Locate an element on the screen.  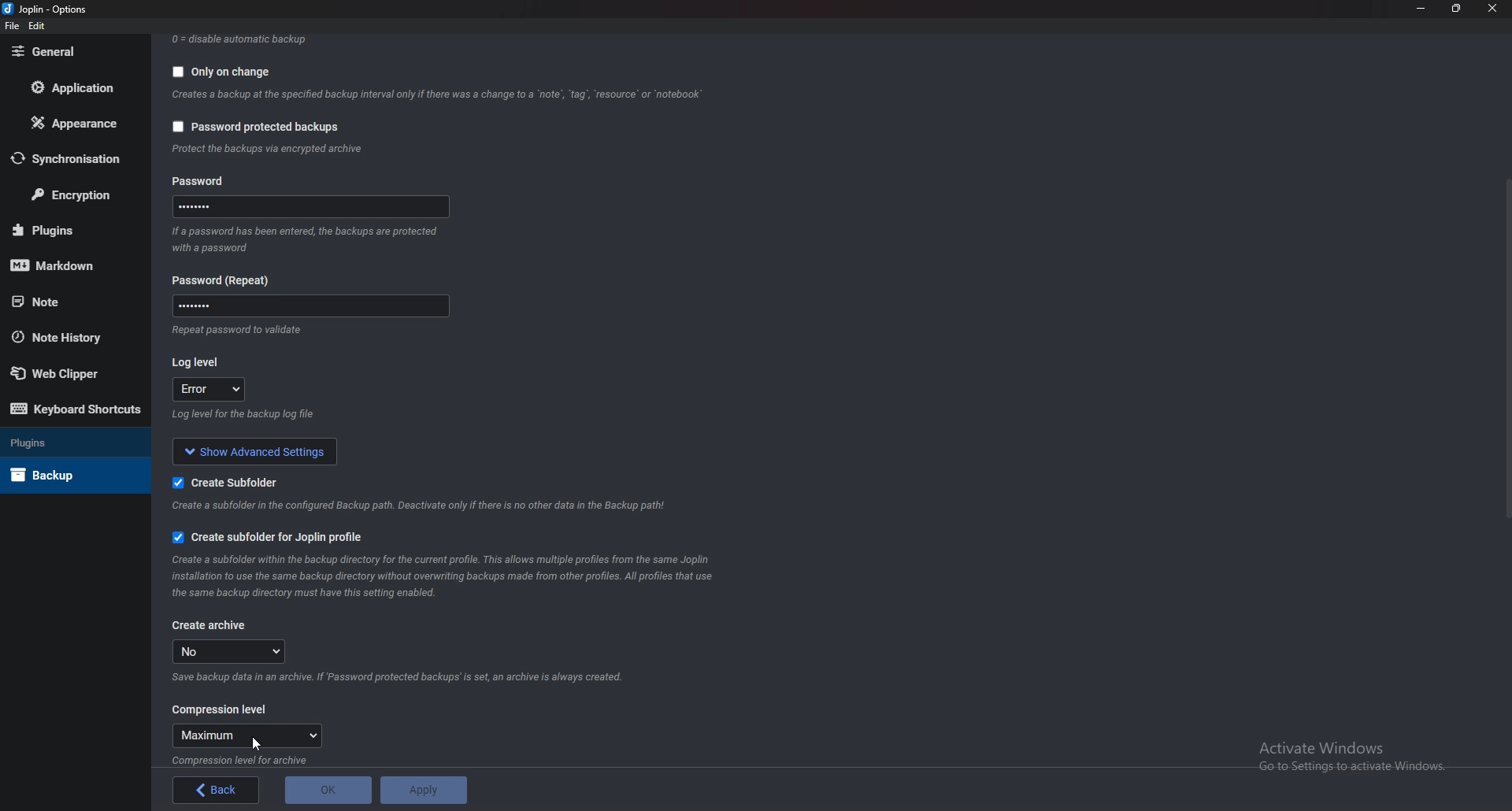
info is located at coordinates (250, 759).